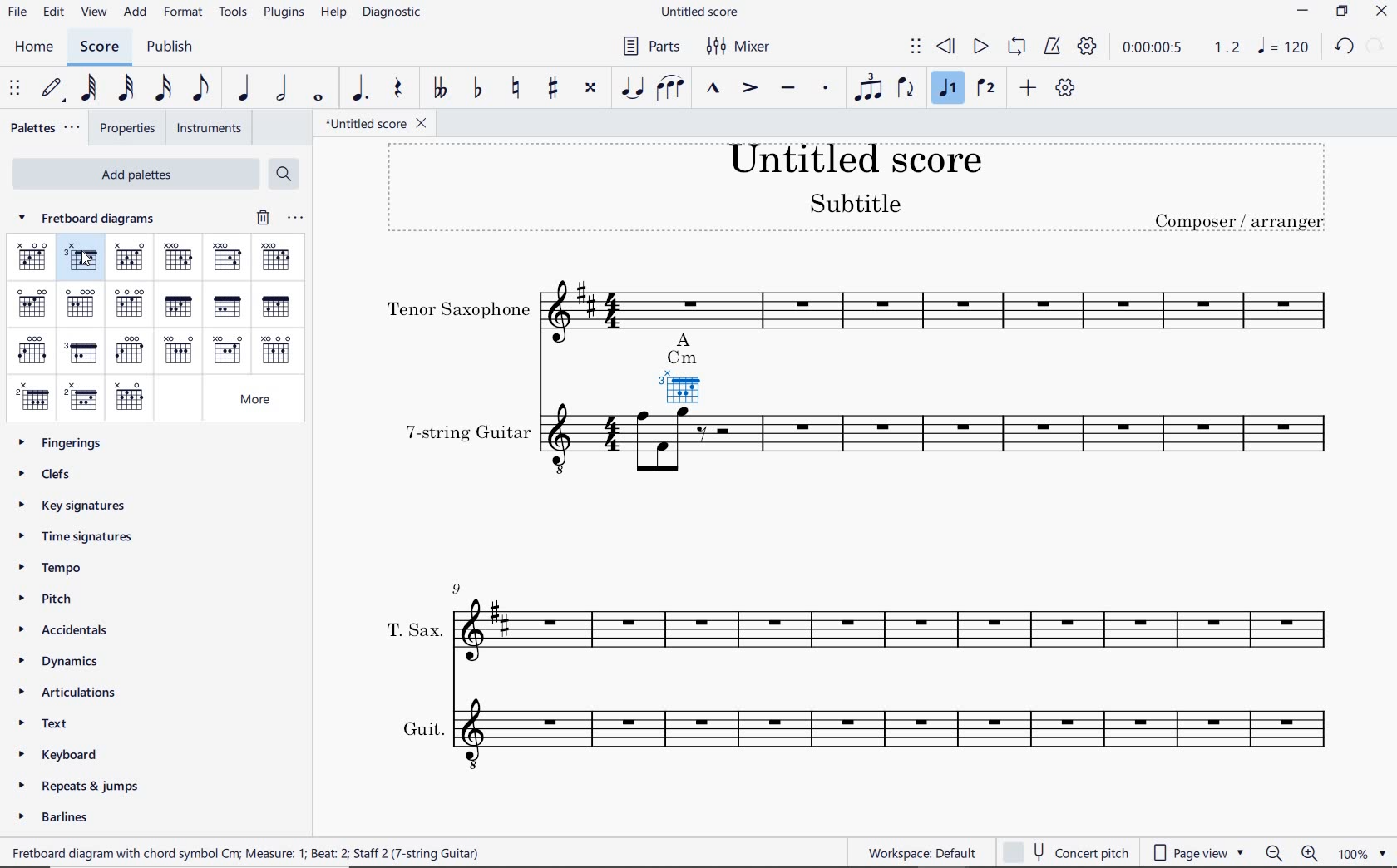  What do you see at coordinates (649, 47) in the screenshot?
I see `PARTS` at bounding box center [649, 47].